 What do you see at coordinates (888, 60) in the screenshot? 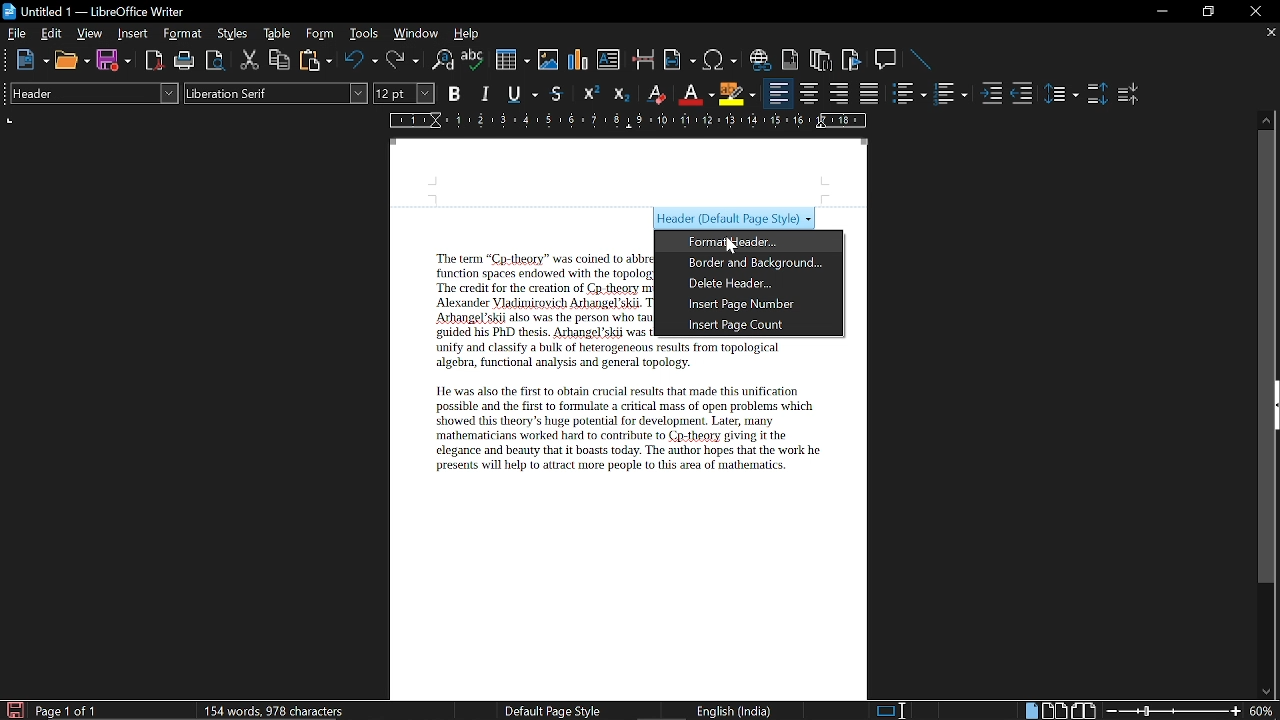
I see `Insert comment` at bounding box center [888, 60].